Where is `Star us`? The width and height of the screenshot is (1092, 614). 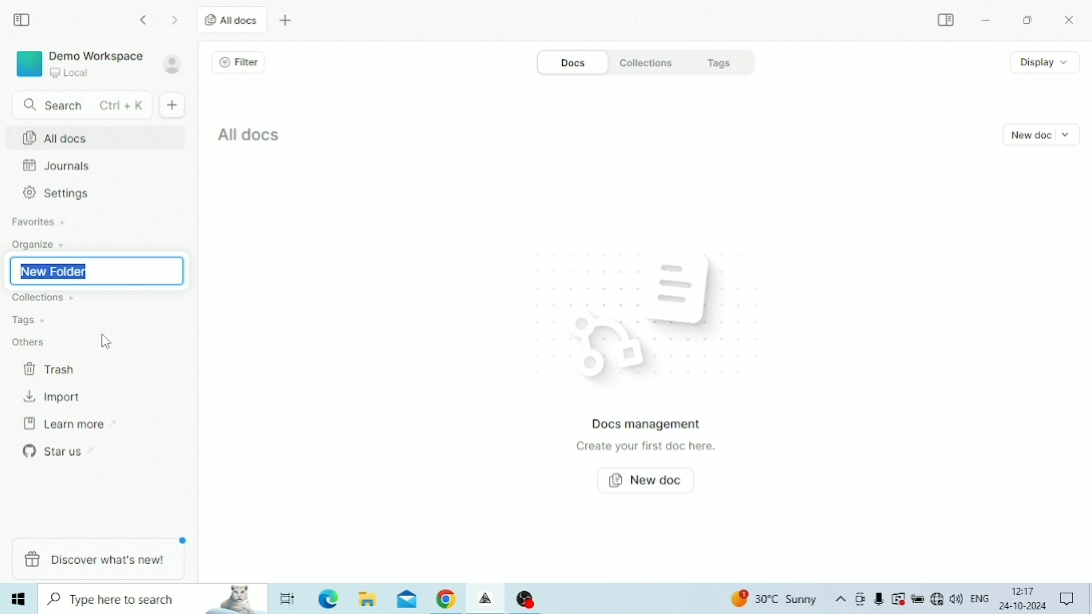 Star us is located at coordinates (55, 449).